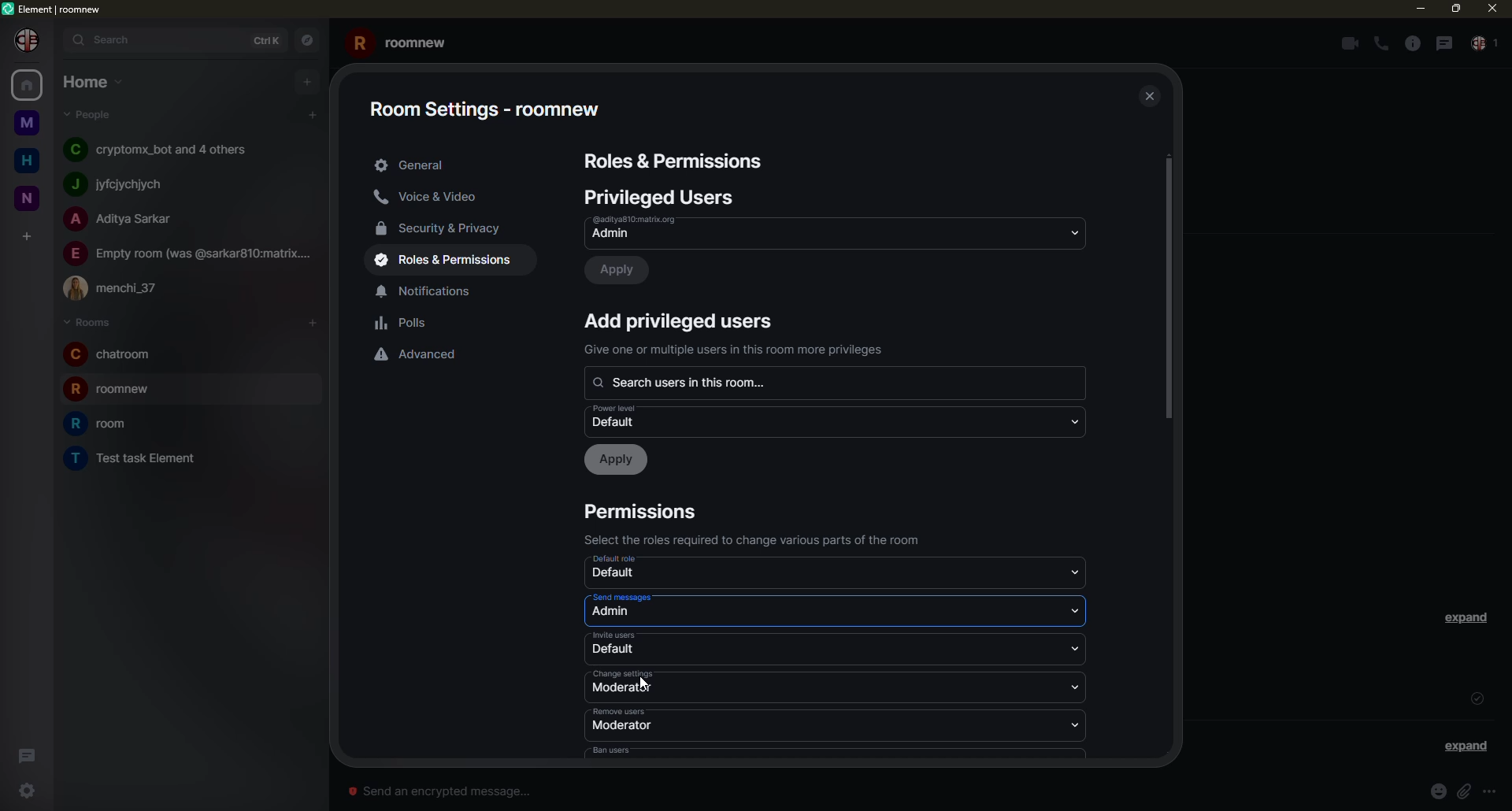 The height and width of the screenshot is (811, 1512). Describe the element at coordinates (105, 424) in the screenshot. I see `room` at that location.